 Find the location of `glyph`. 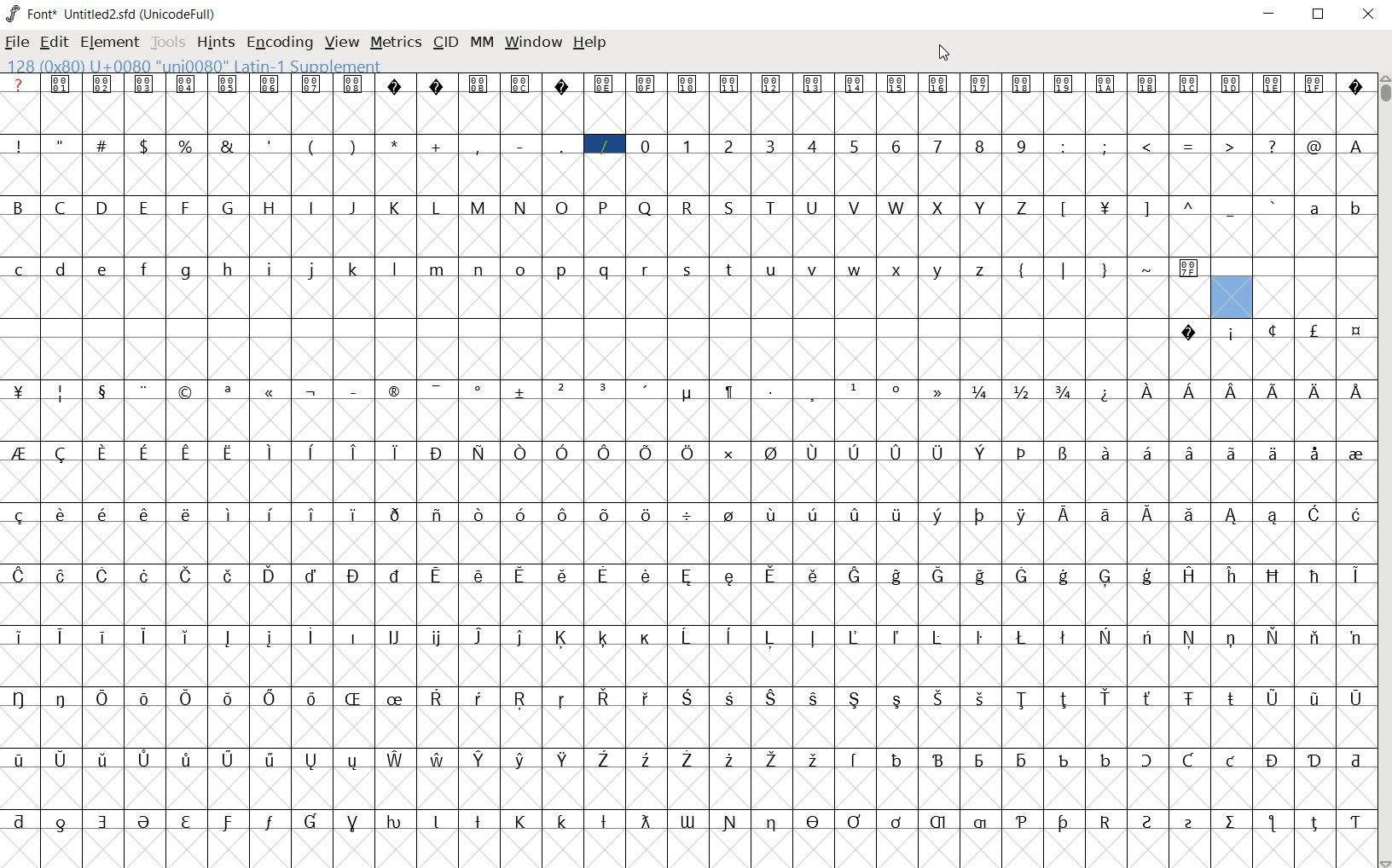

glyph is located at coordinates (898, 271).